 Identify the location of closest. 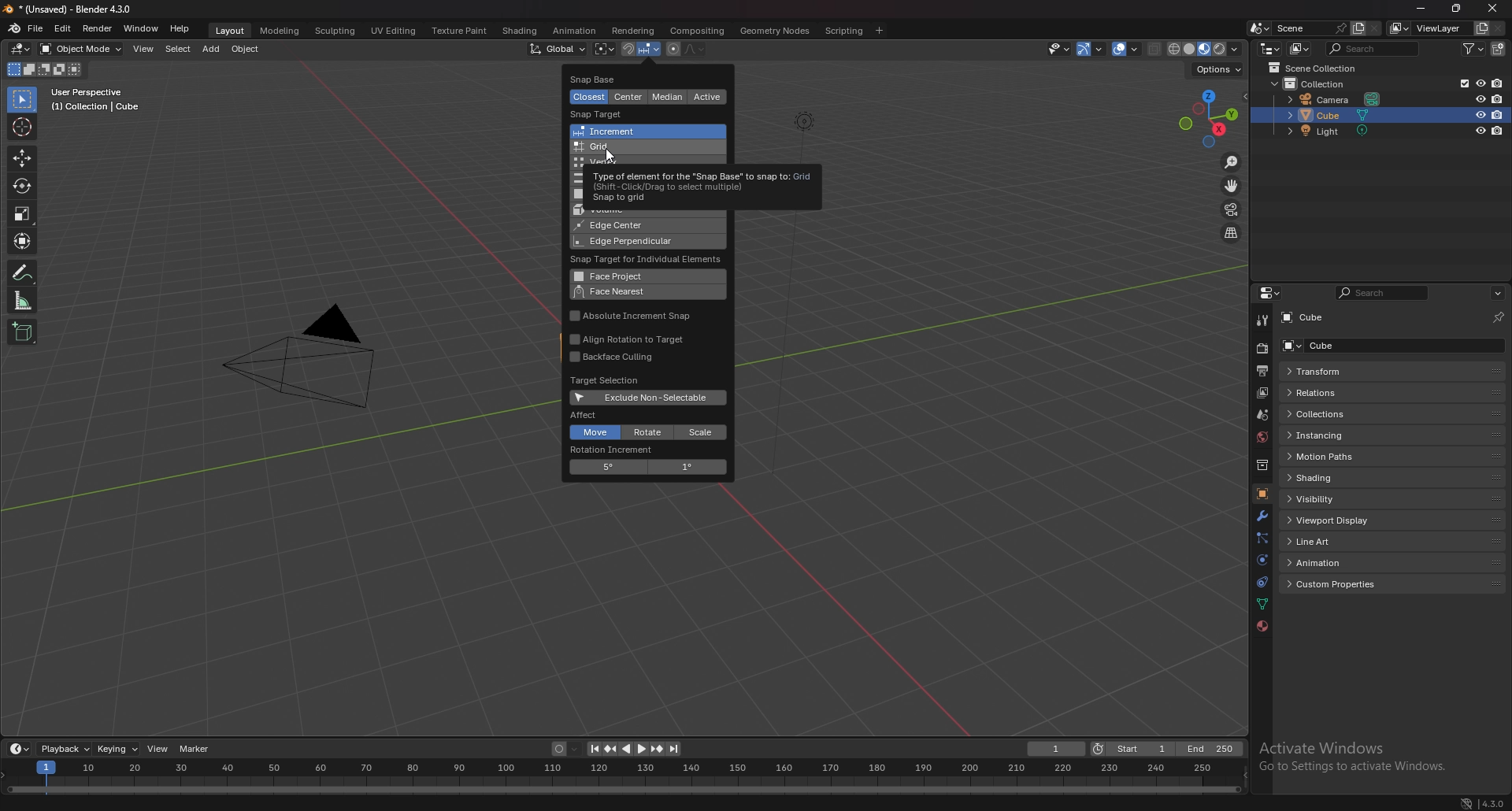
(591, 97).